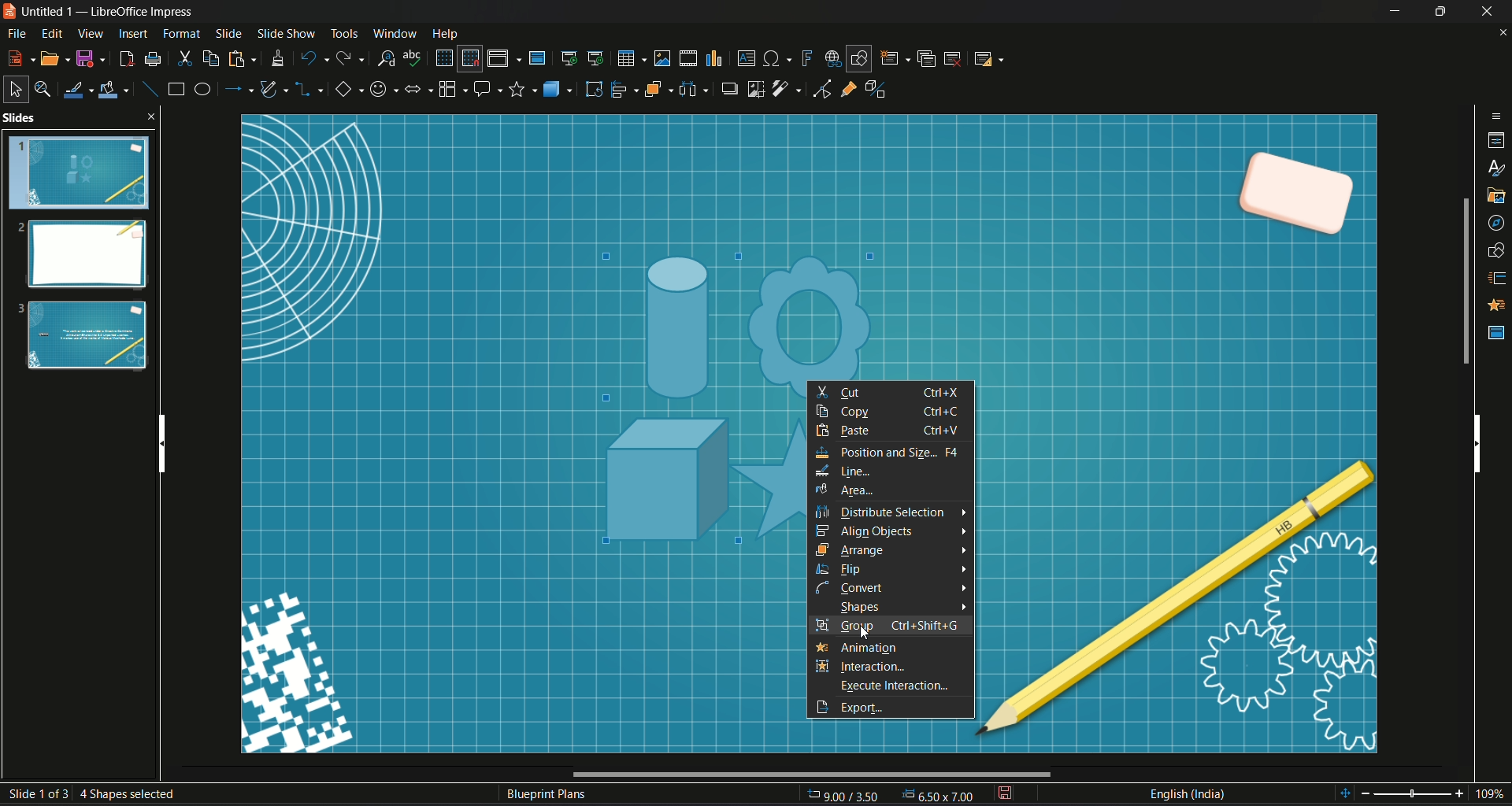 Image resolution: width=1512 pixels, height=806 pixels. What do you see at coordinates (820, 91) in the screenshot?
I see `toggle point` at bounding box center [820, 91].